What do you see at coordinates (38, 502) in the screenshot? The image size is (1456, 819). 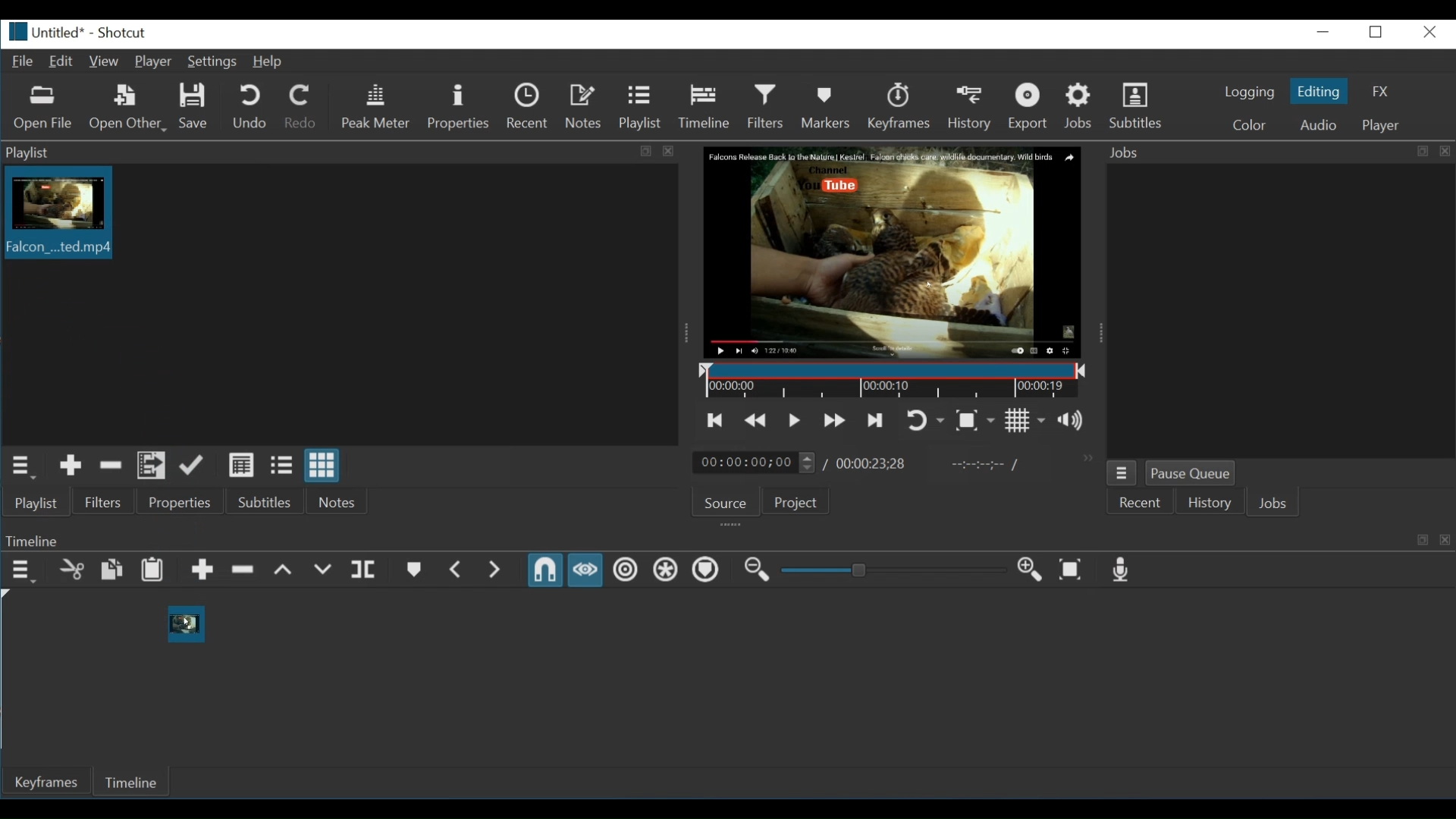 I see `Playlist` at bounding box center [38, 502].